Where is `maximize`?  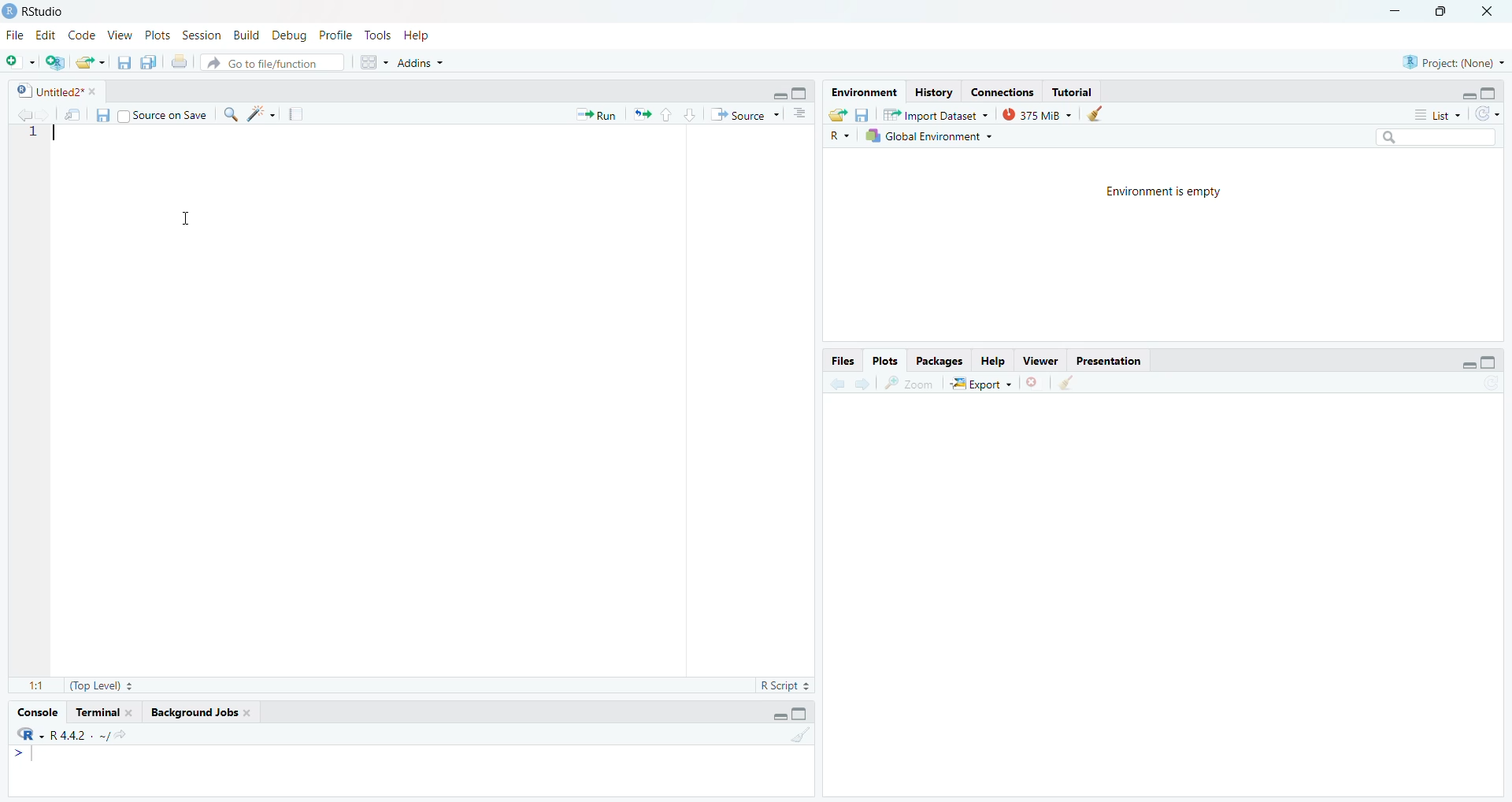
maximize is located at coordinates (1440, 13).